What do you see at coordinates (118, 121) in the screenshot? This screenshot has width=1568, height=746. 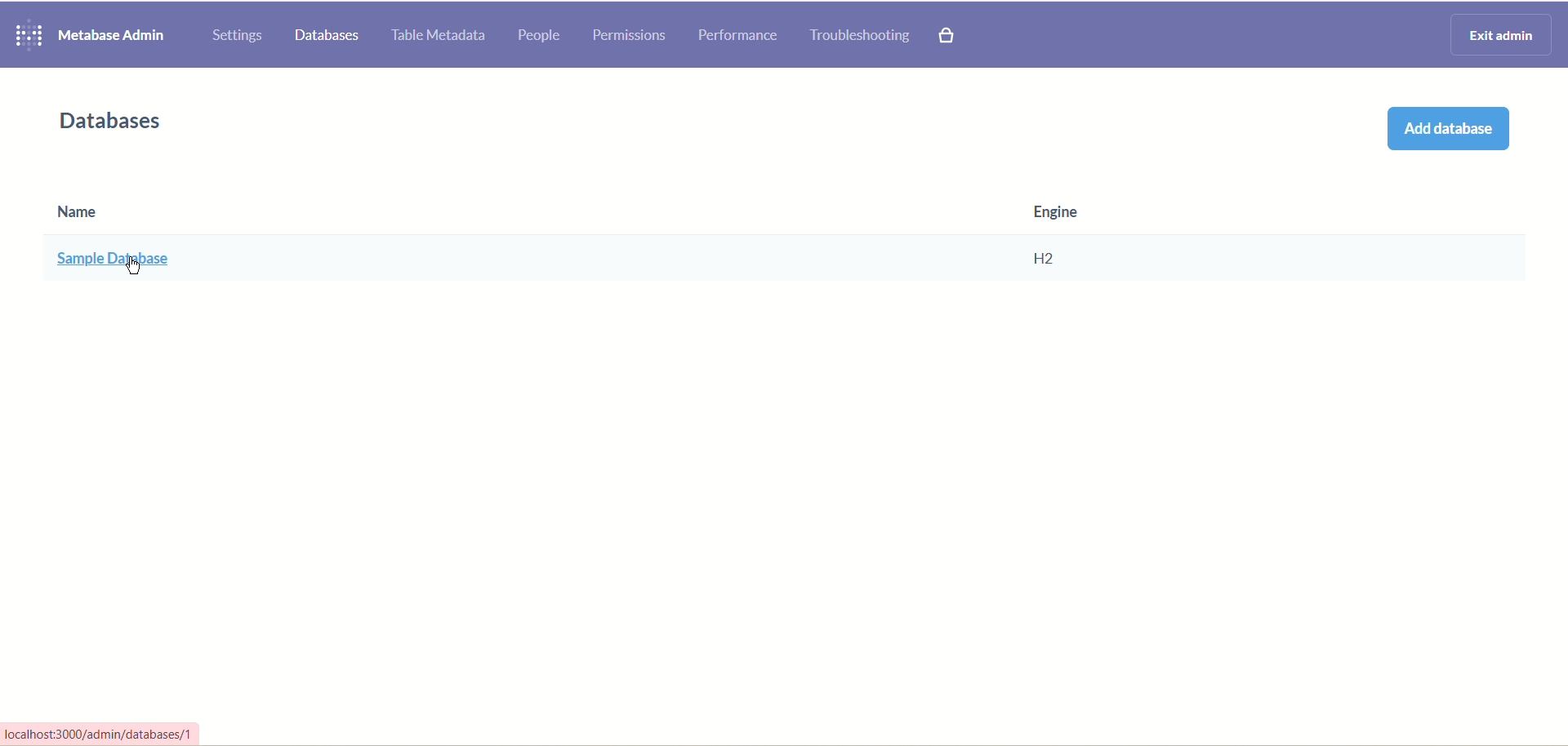 I see `databases` at bounding box center [118, 121].